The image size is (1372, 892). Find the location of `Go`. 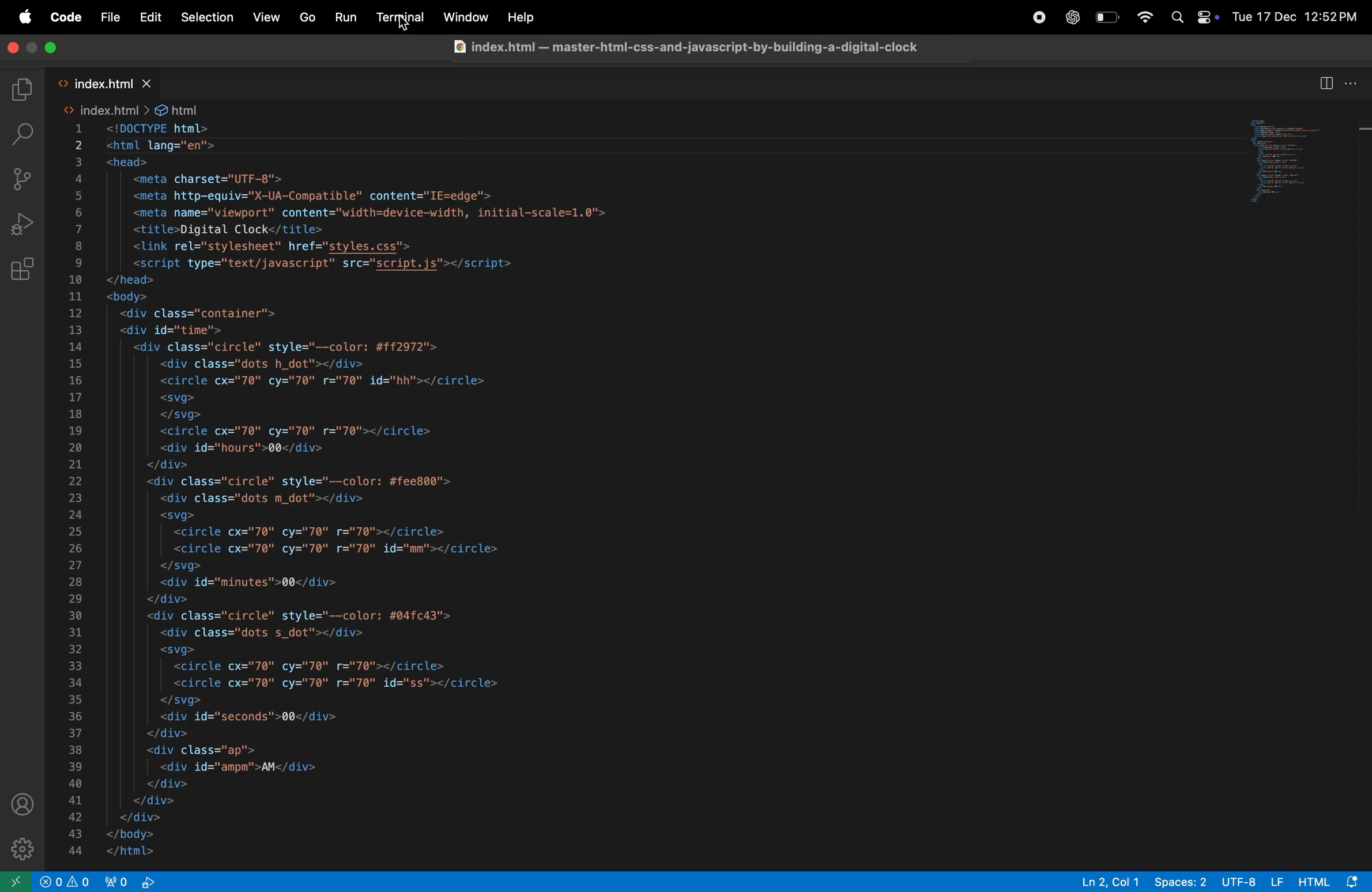

Go is located at coordinates (306, 17).